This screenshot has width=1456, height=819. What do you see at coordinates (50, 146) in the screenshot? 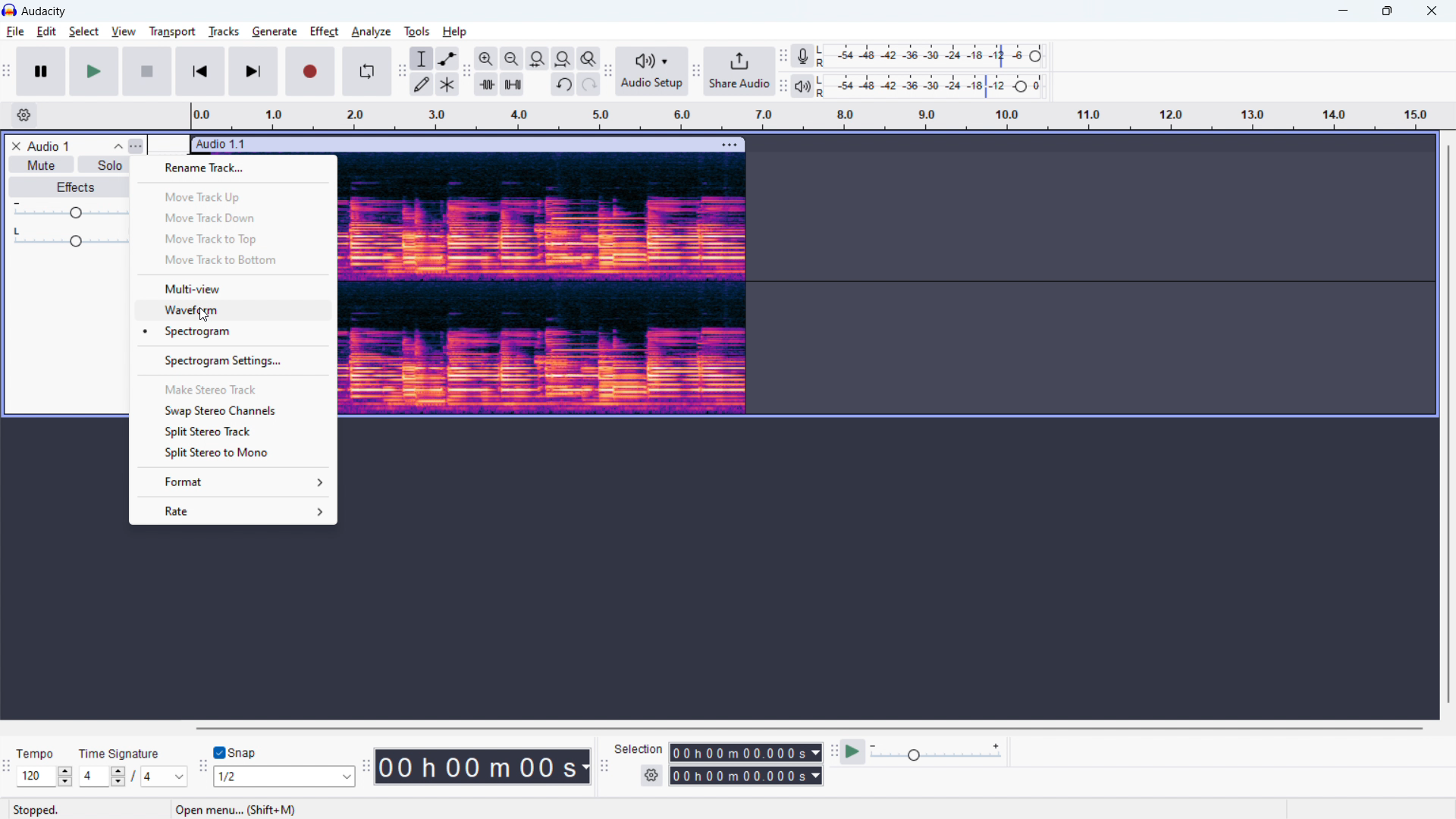
I see `audio title` at bounding box center [50, 146].